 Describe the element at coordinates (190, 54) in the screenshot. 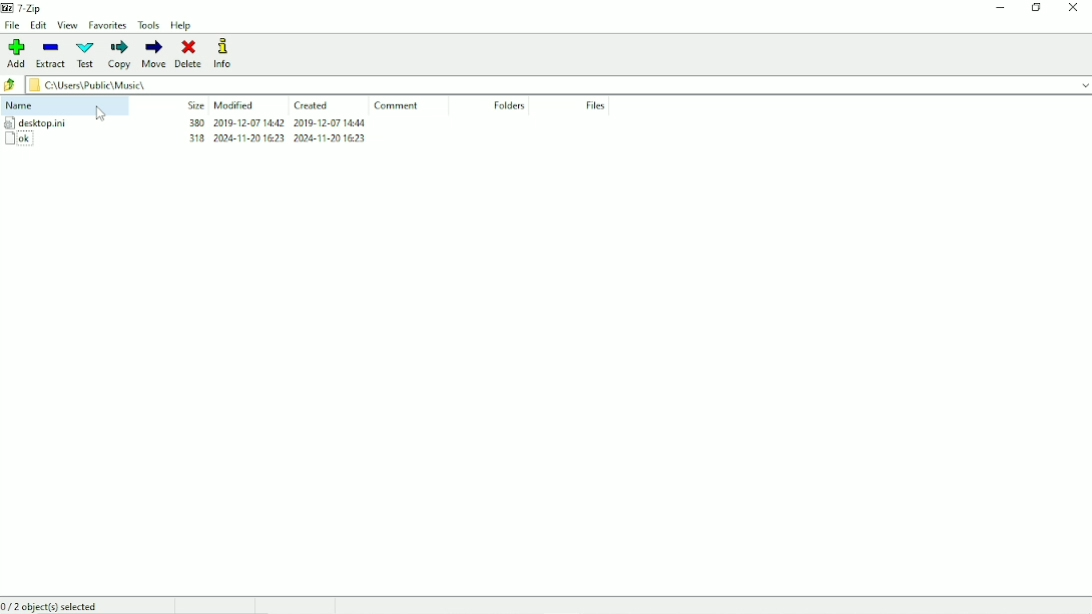

I see `Delete` at that location.